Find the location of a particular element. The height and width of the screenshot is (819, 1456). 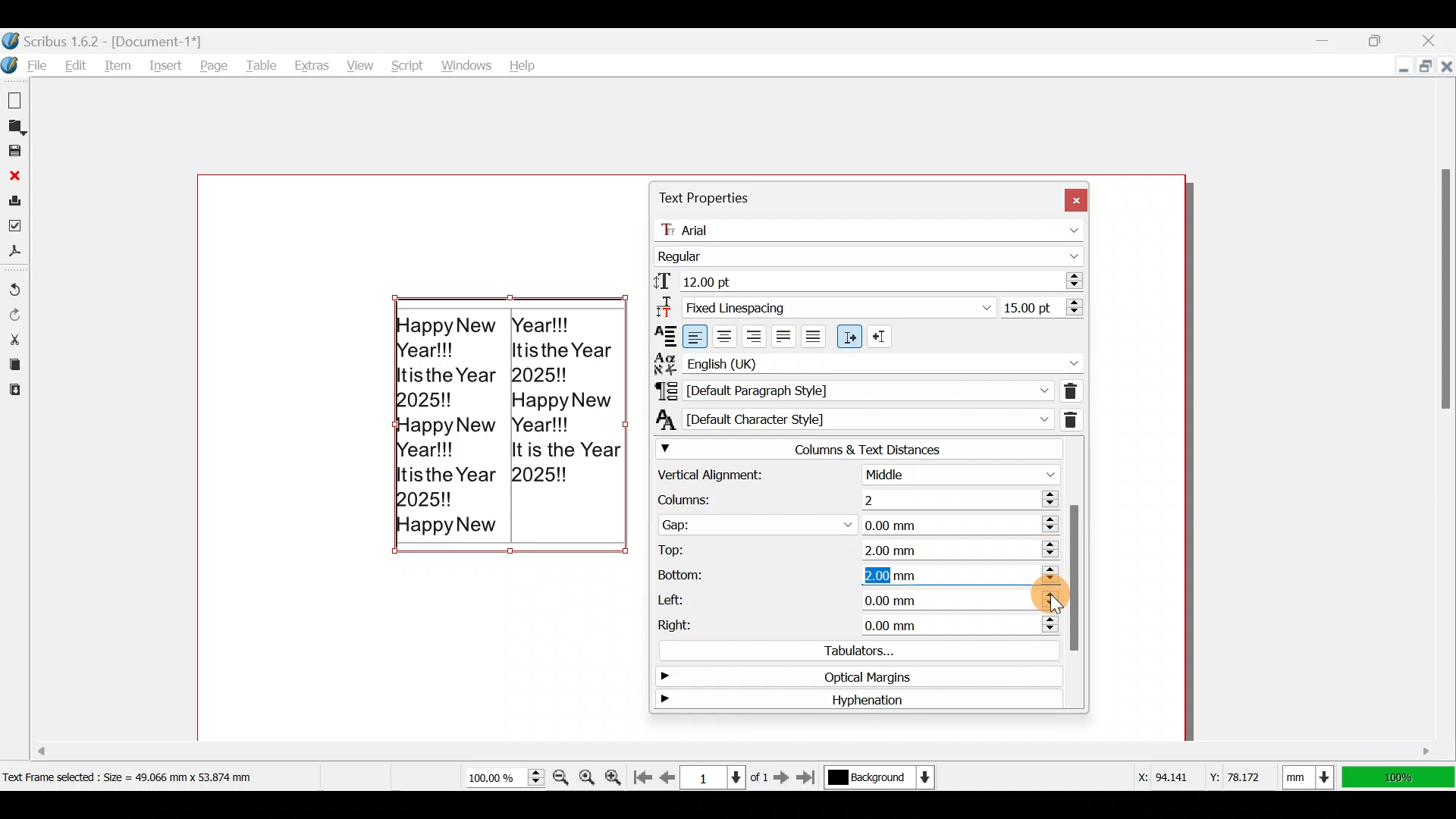

Help is located at coordinates (520, 62).